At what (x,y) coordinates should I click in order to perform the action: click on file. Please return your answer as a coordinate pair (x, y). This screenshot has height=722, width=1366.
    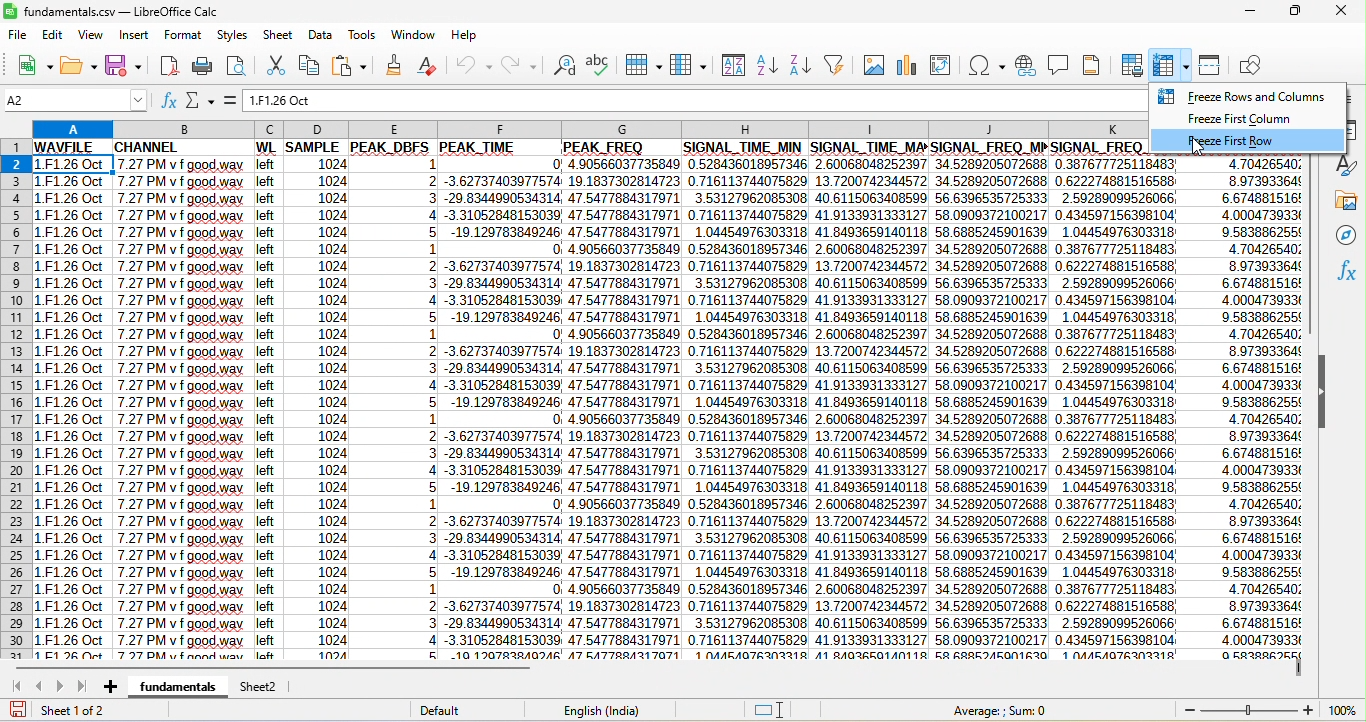
    Looking at the image, I should click on (17, 36).